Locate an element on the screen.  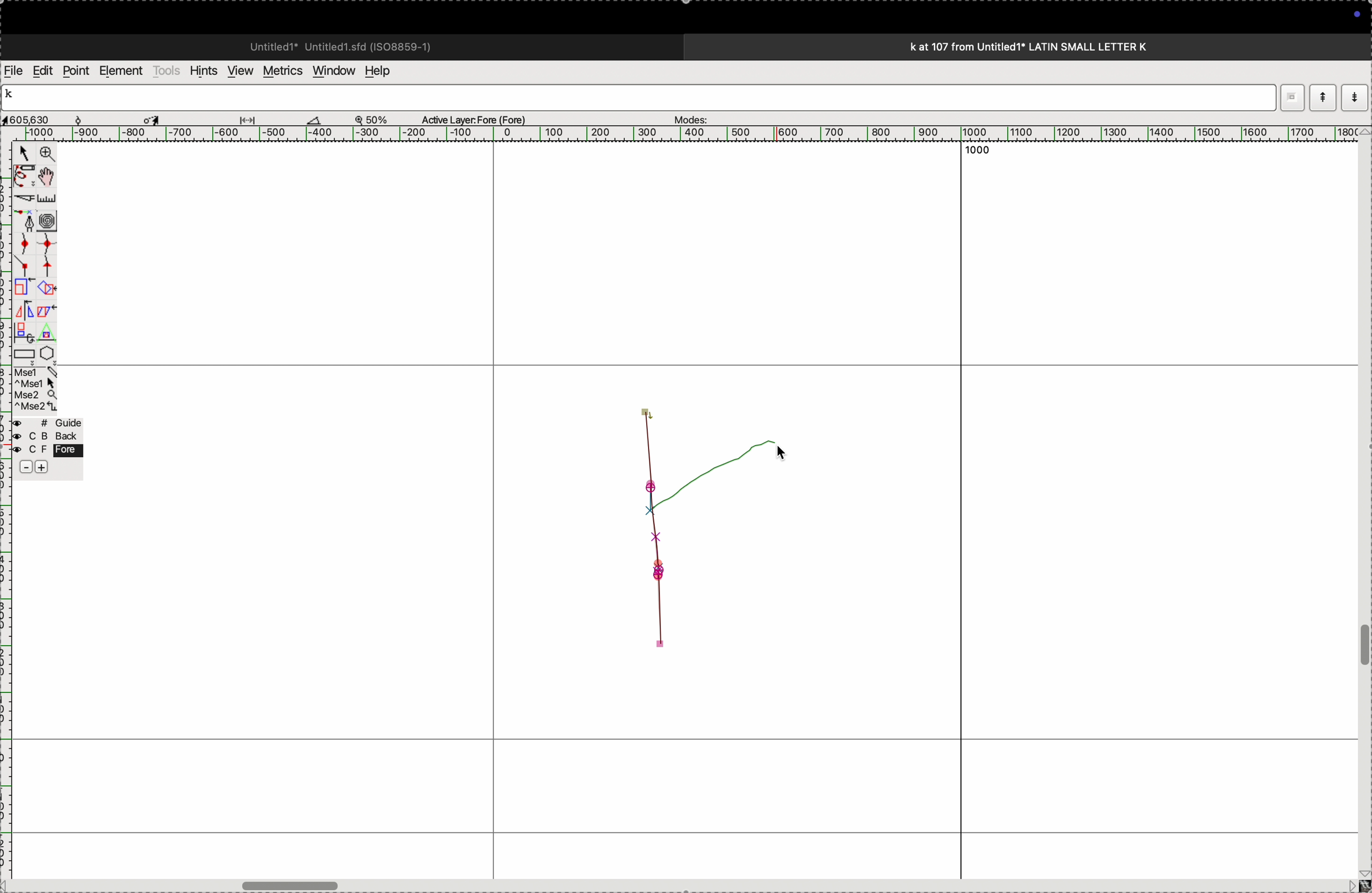
hints is located at coordinates (201, 70).